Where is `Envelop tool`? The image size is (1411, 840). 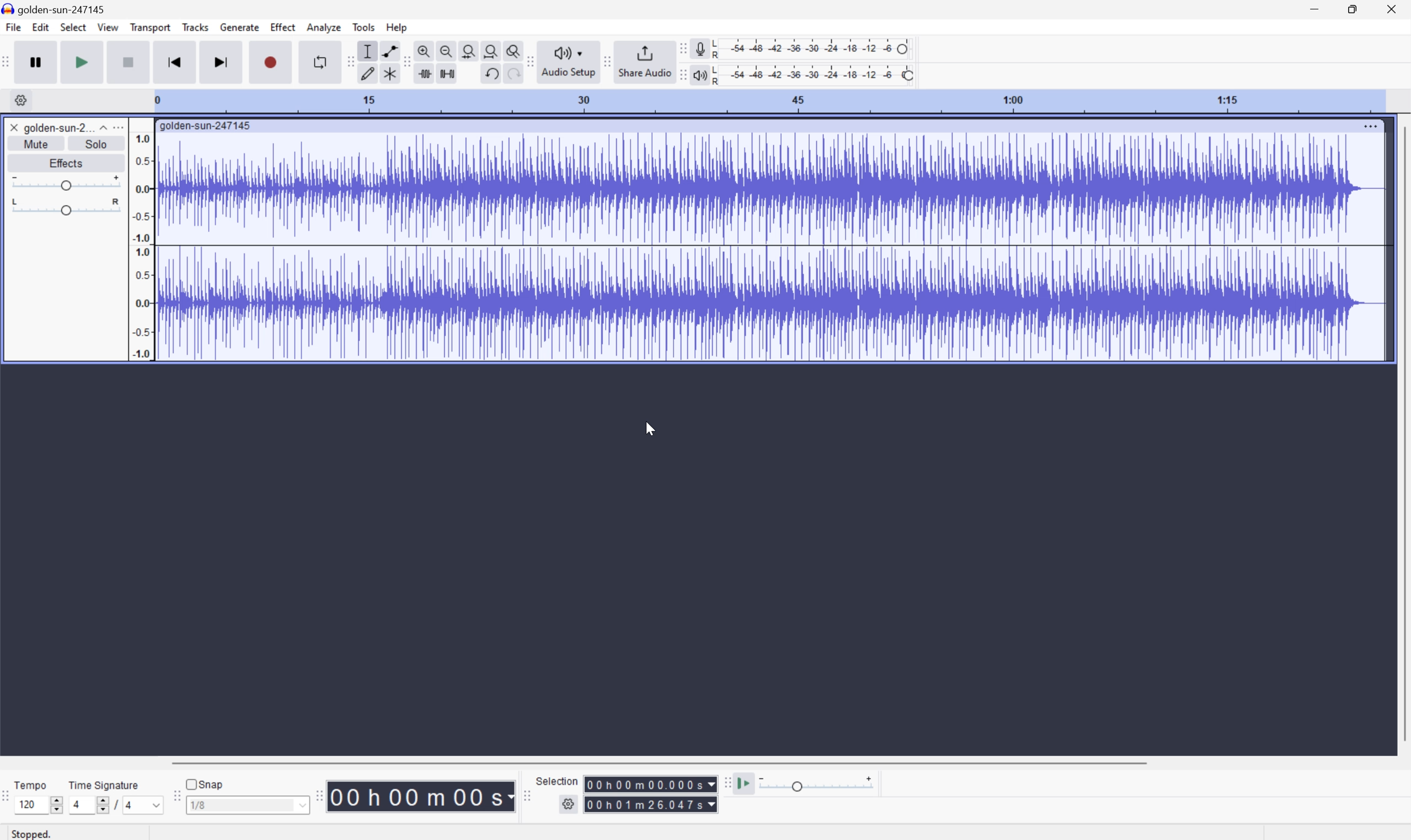
Envelop tool is located at coordinates (387, 50).